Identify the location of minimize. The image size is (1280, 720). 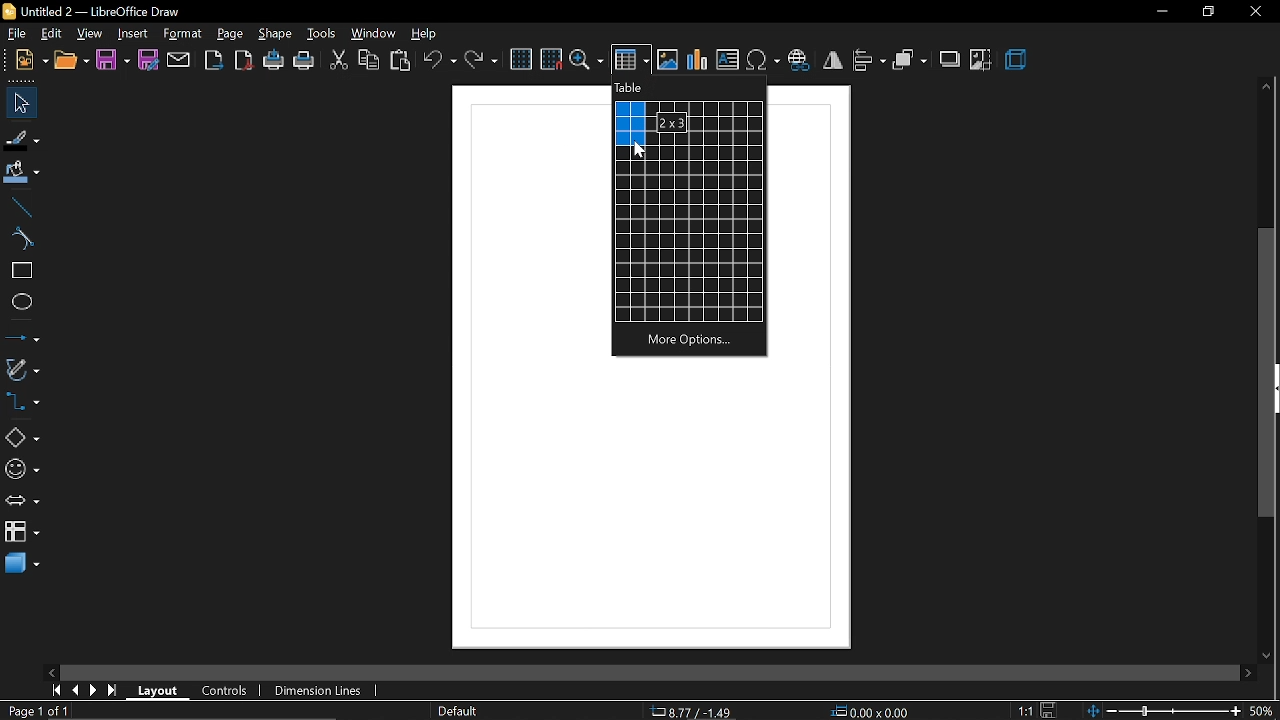
(1160, 13).